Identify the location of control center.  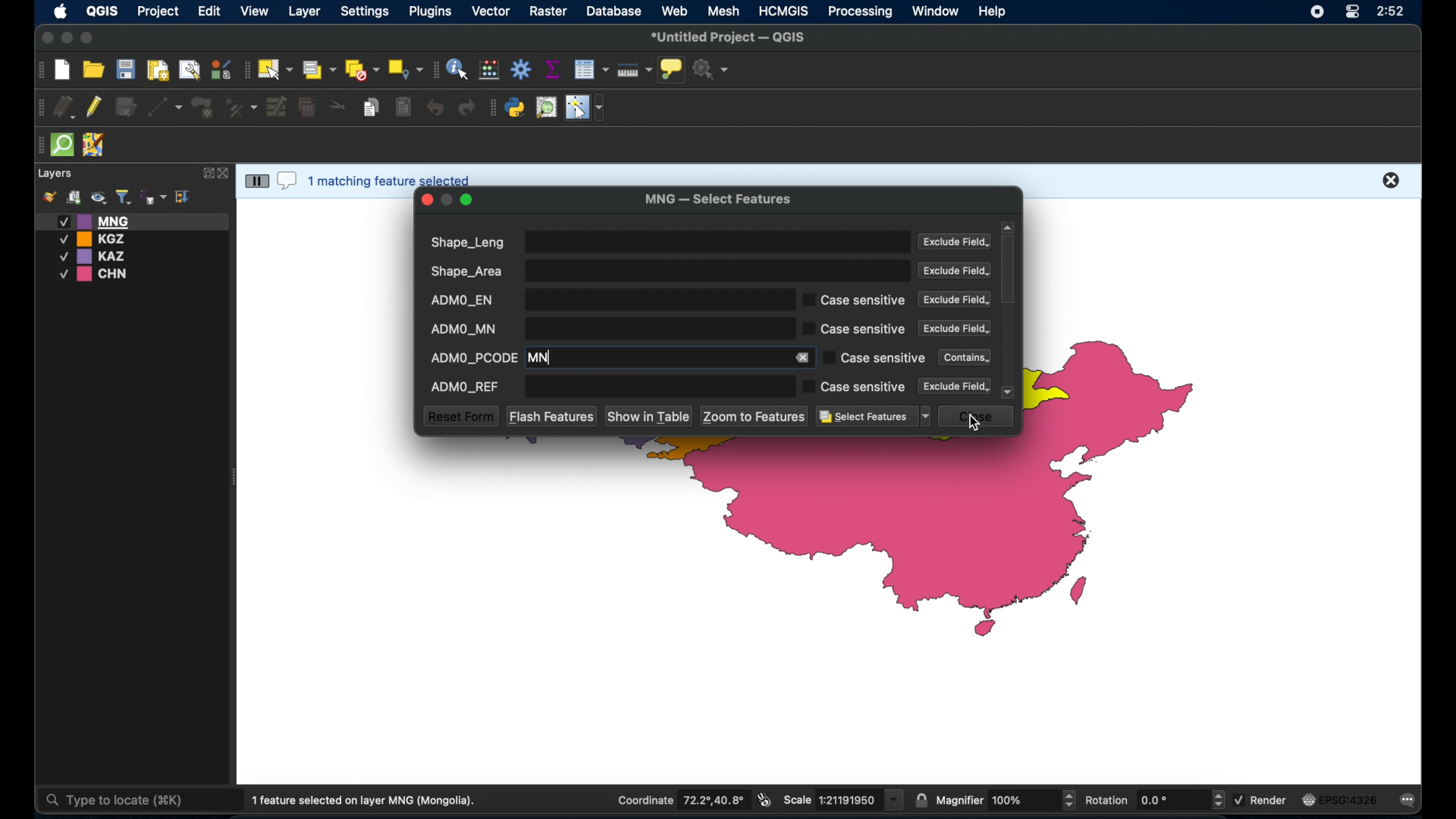
(1351, 13).